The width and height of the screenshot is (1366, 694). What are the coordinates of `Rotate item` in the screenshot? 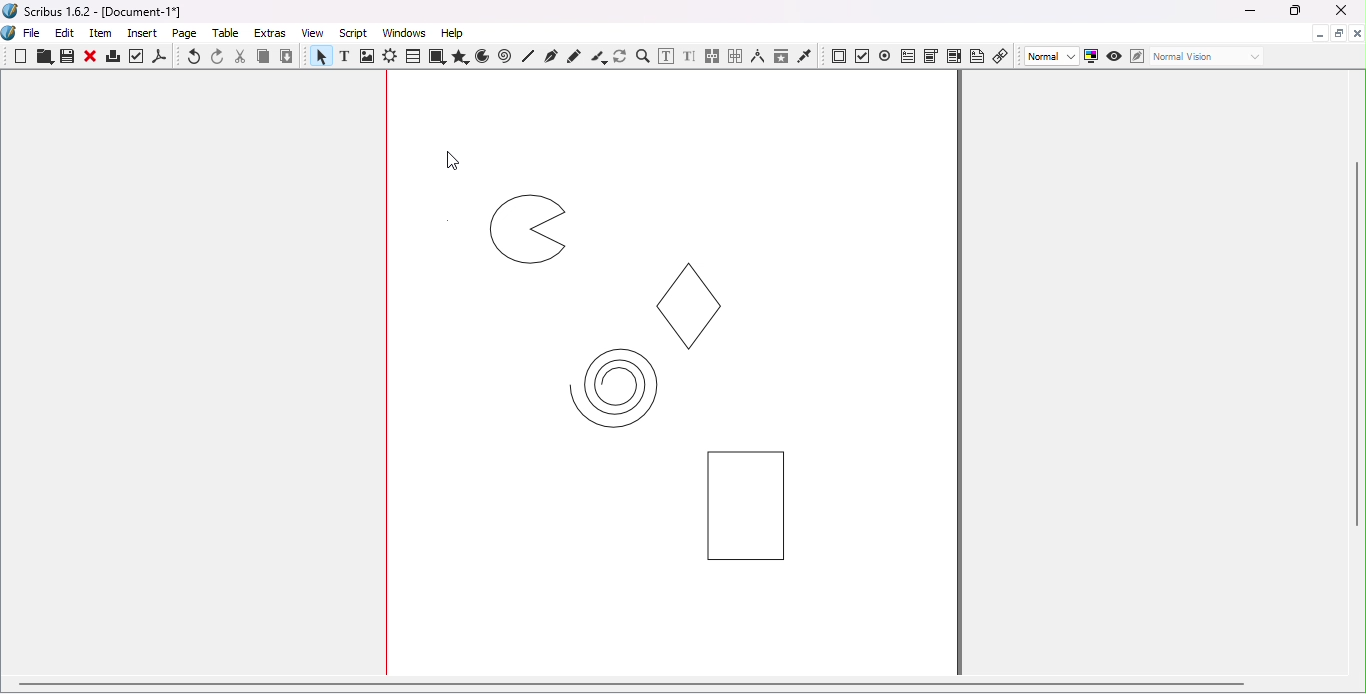 It's located at (620, 56).